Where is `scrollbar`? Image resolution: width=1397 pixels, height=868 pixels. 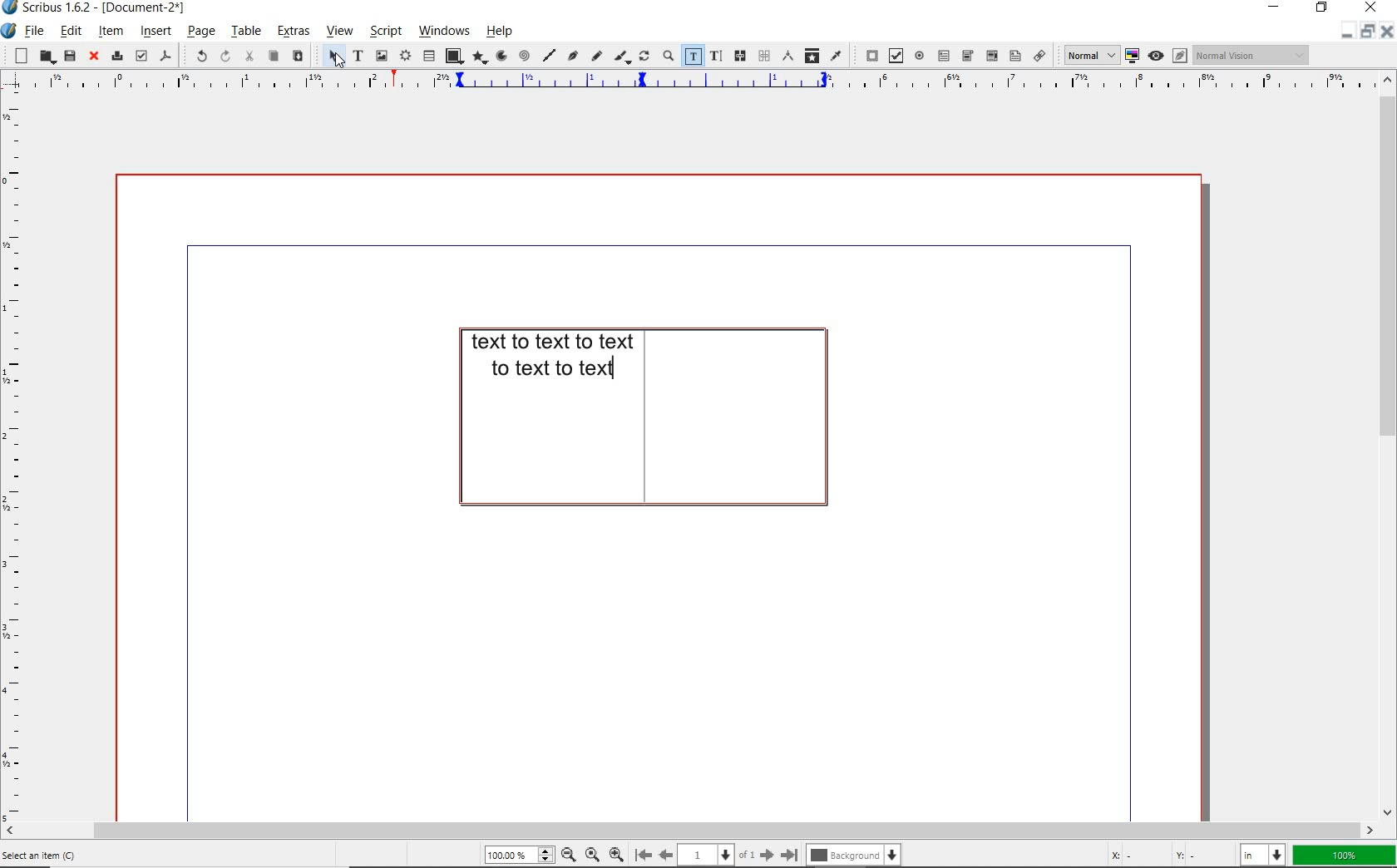 scrollbar is located at coordinates (689, 831).